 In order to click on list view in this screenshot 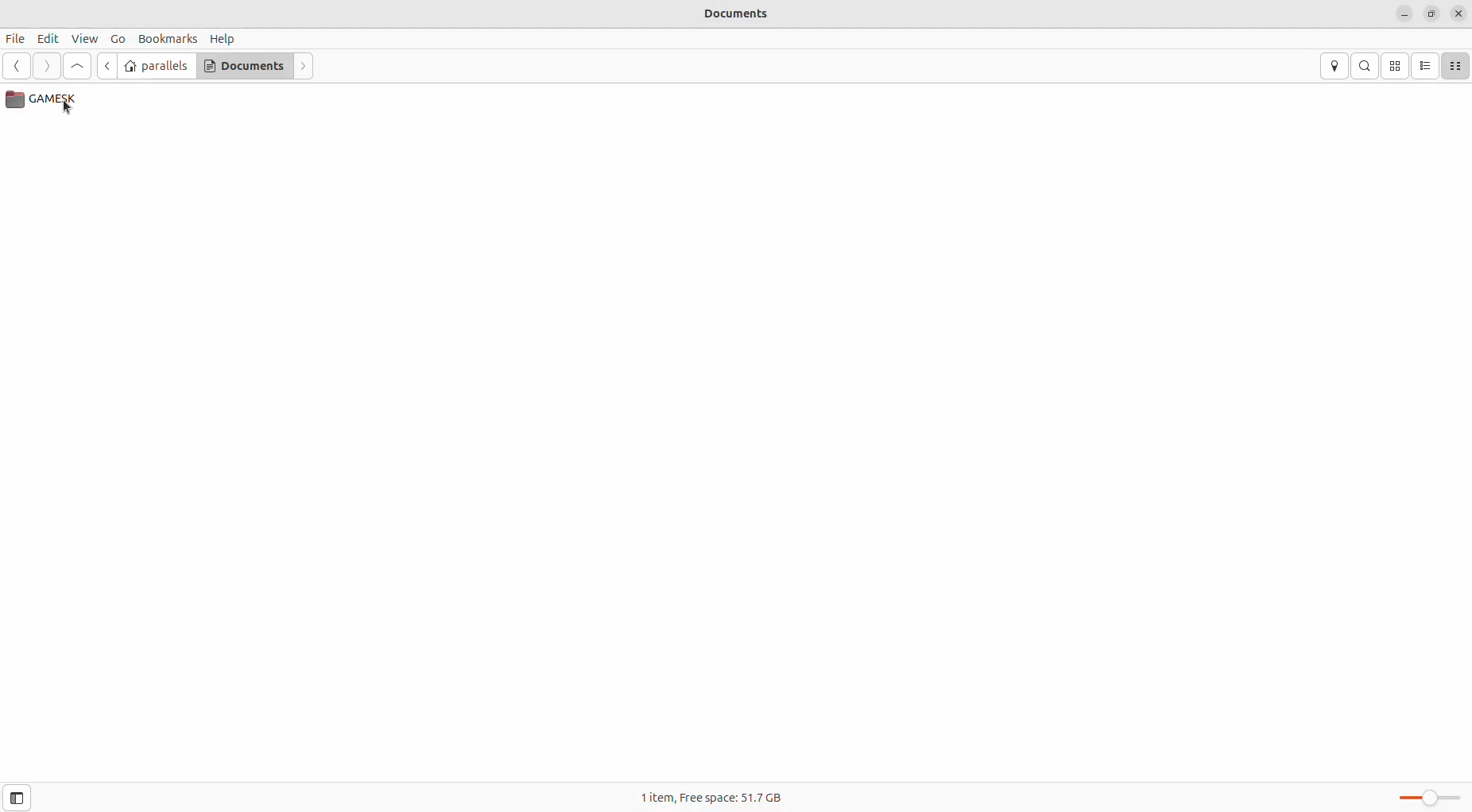, I will do `click(1424, 66)`.